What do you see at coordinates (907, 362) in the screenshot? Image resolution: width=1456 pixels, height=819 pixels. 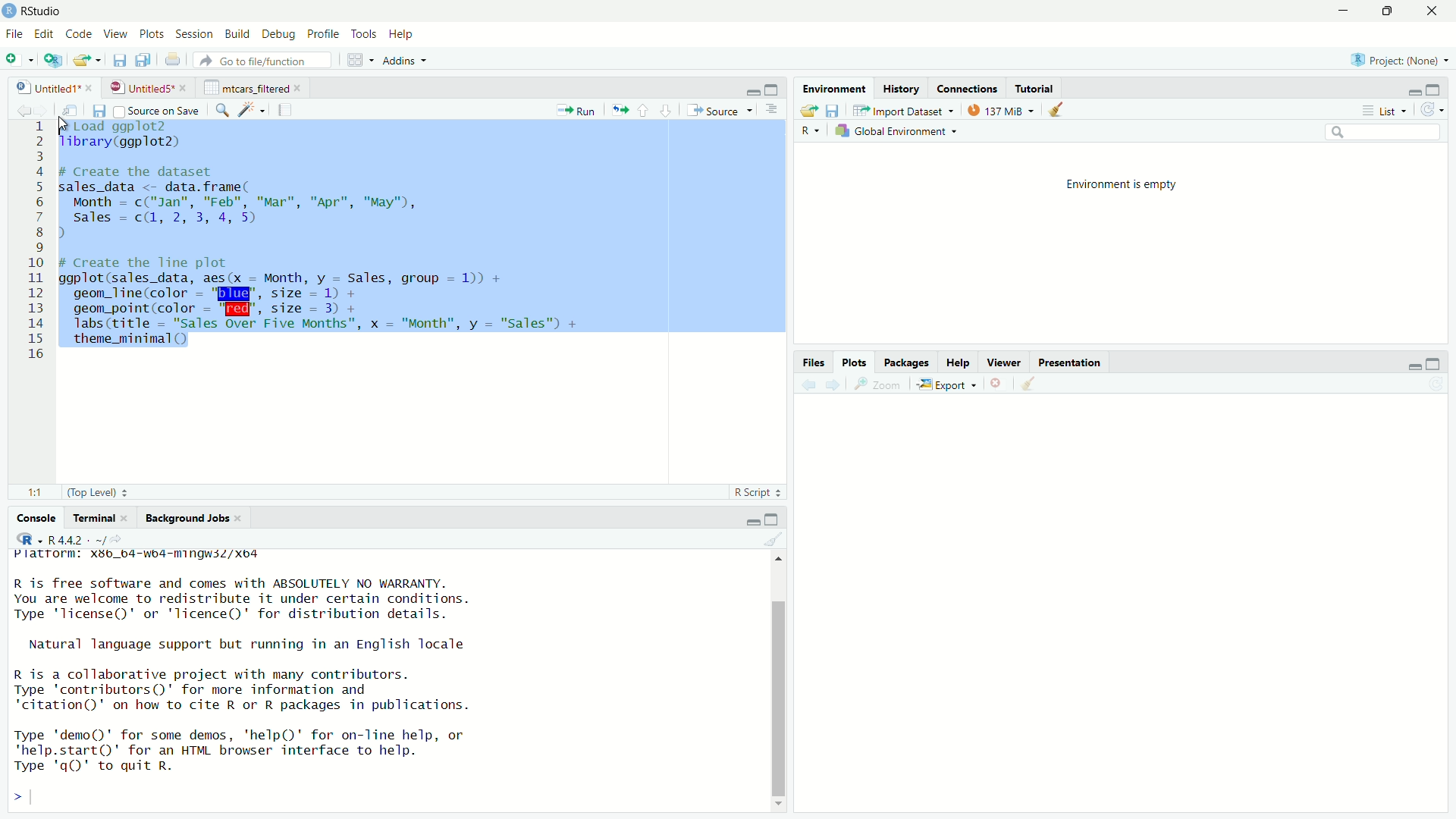 I see `Packages` at bounding box center [907, 362].